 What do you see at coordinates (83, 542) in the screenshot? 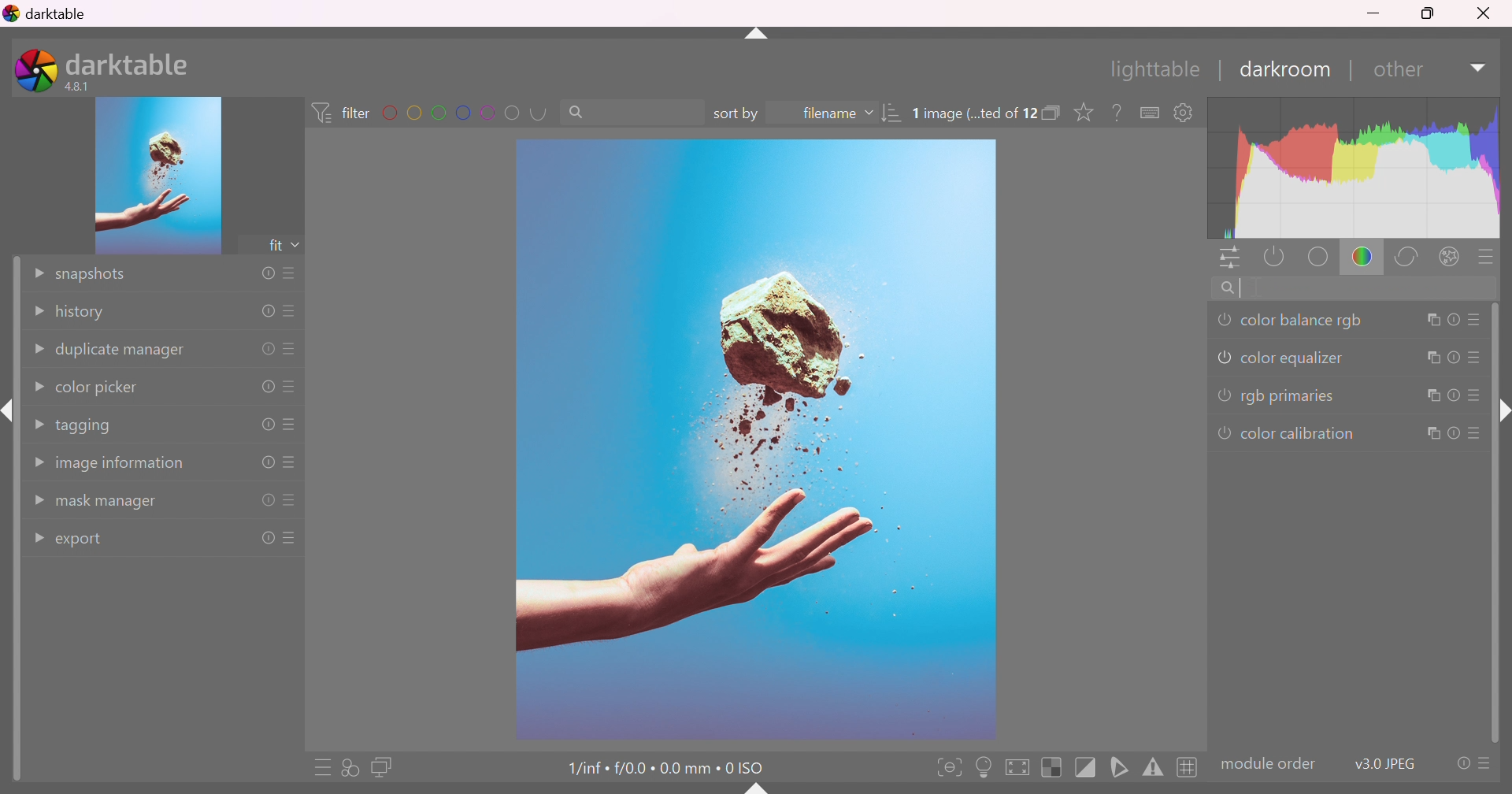
I see `export` at bounding box center [83, 542].